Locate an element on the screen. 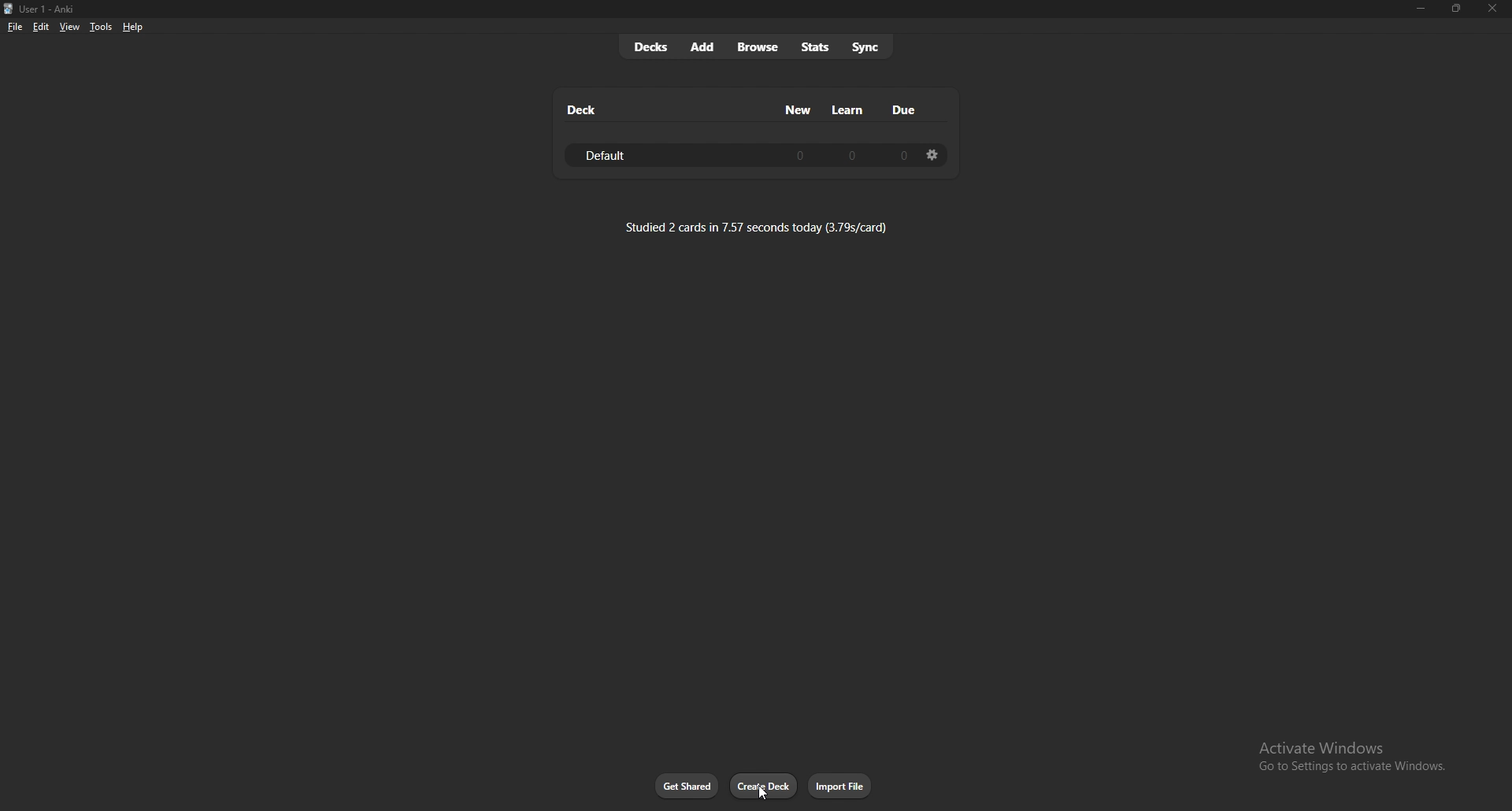 Image resolution: width=1512 pixels, height=811 pixels. create deck is located at coordinates (764, 786).